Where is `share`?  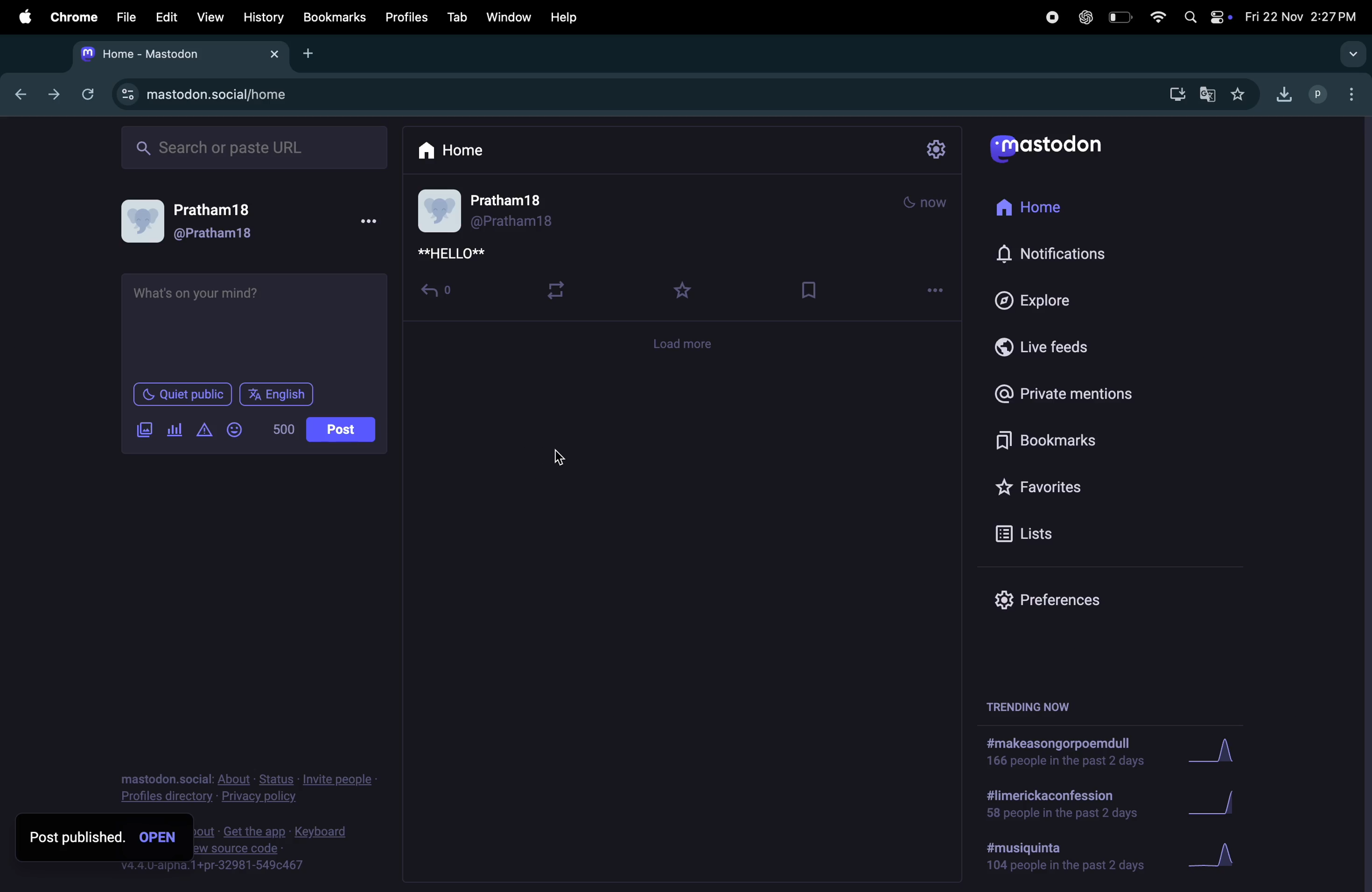 share is located at coordinates (443, 295).